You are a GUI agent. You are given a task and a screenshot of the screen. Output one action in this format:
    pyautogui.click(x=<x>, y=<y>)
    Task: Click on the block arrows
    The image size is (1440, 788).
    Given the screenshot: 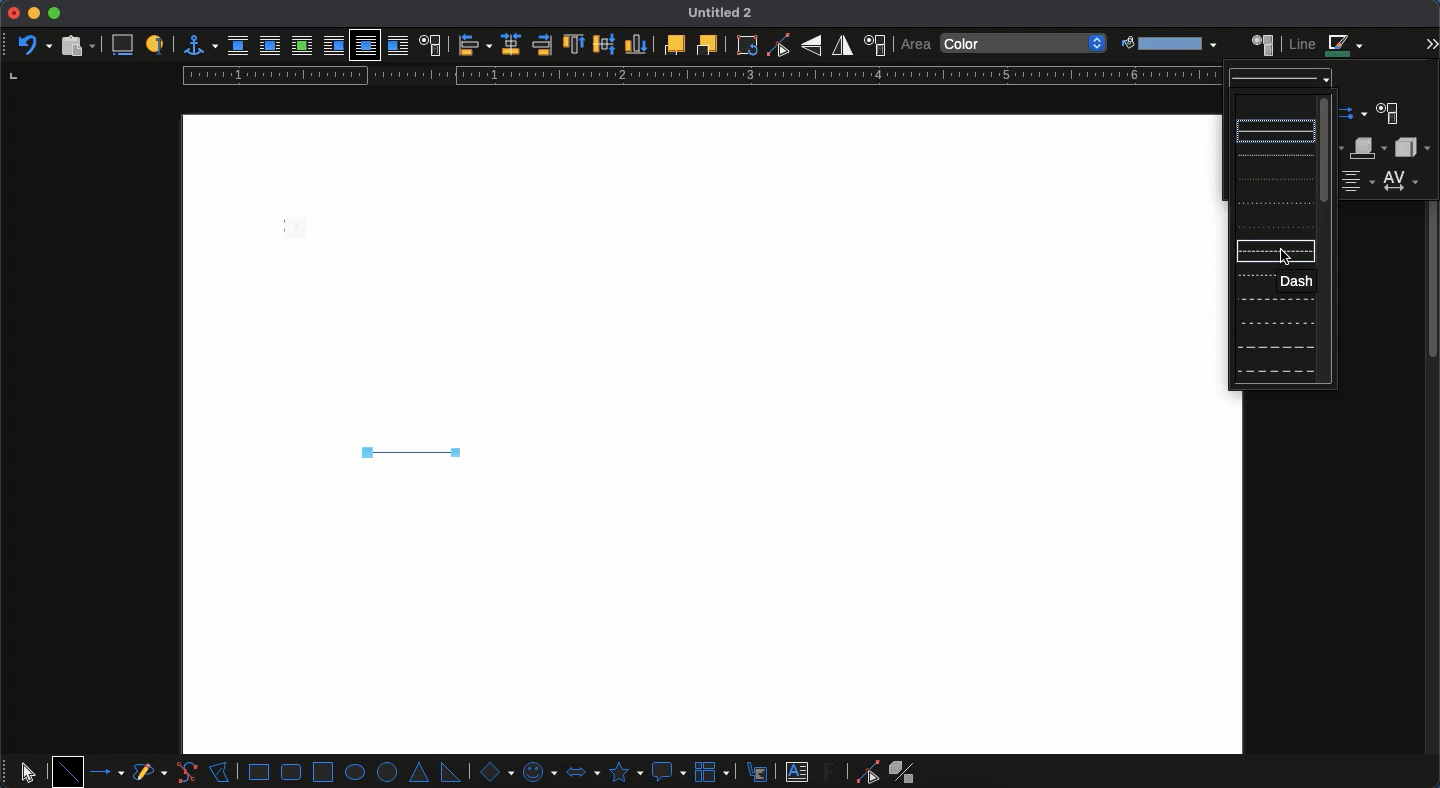 What is the action you would take?
    pyautogui.click(x=582, y=770)
    